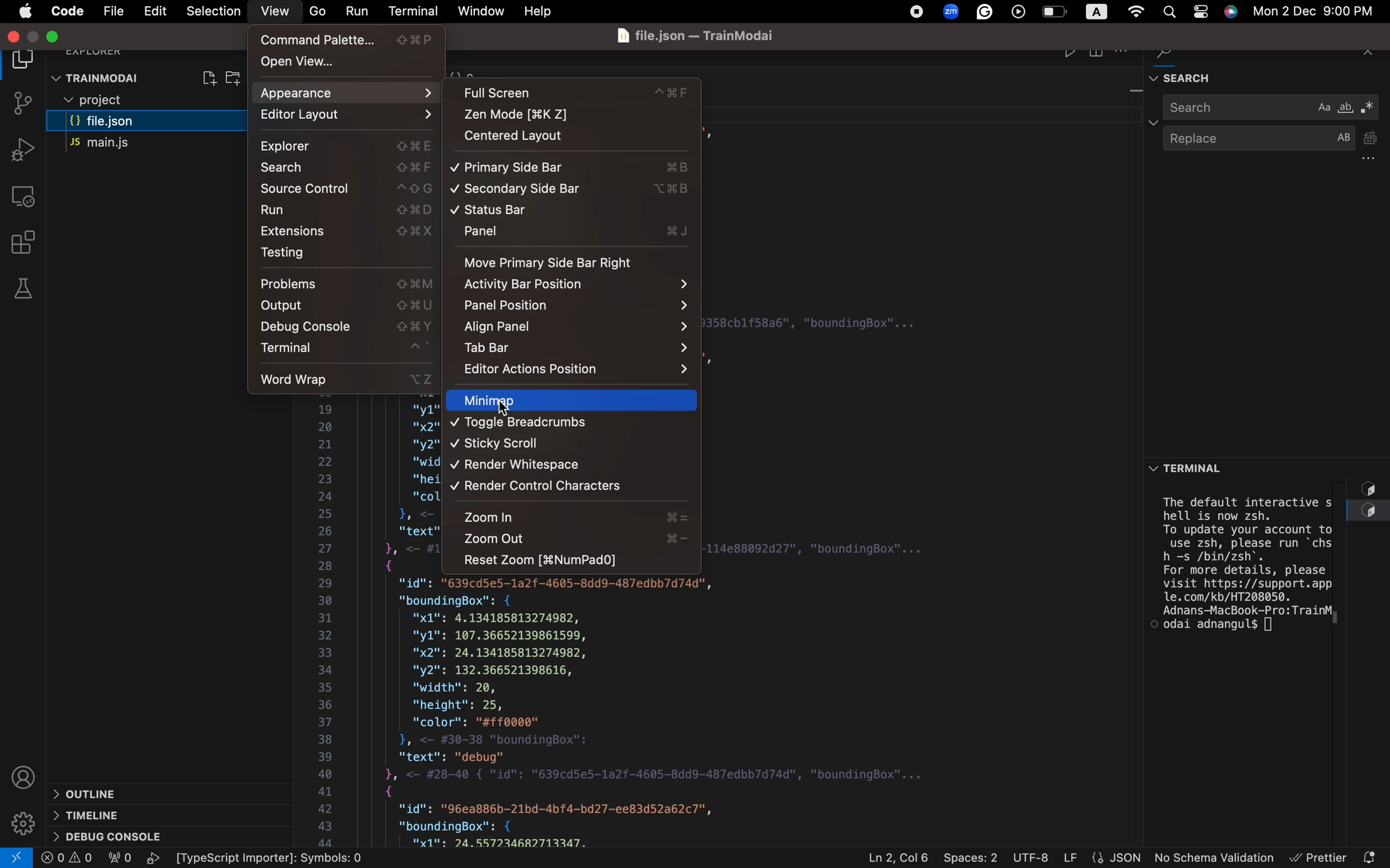 The height and width of the screenshot is (868, 1390). I want to click on view, so click(275, 12).